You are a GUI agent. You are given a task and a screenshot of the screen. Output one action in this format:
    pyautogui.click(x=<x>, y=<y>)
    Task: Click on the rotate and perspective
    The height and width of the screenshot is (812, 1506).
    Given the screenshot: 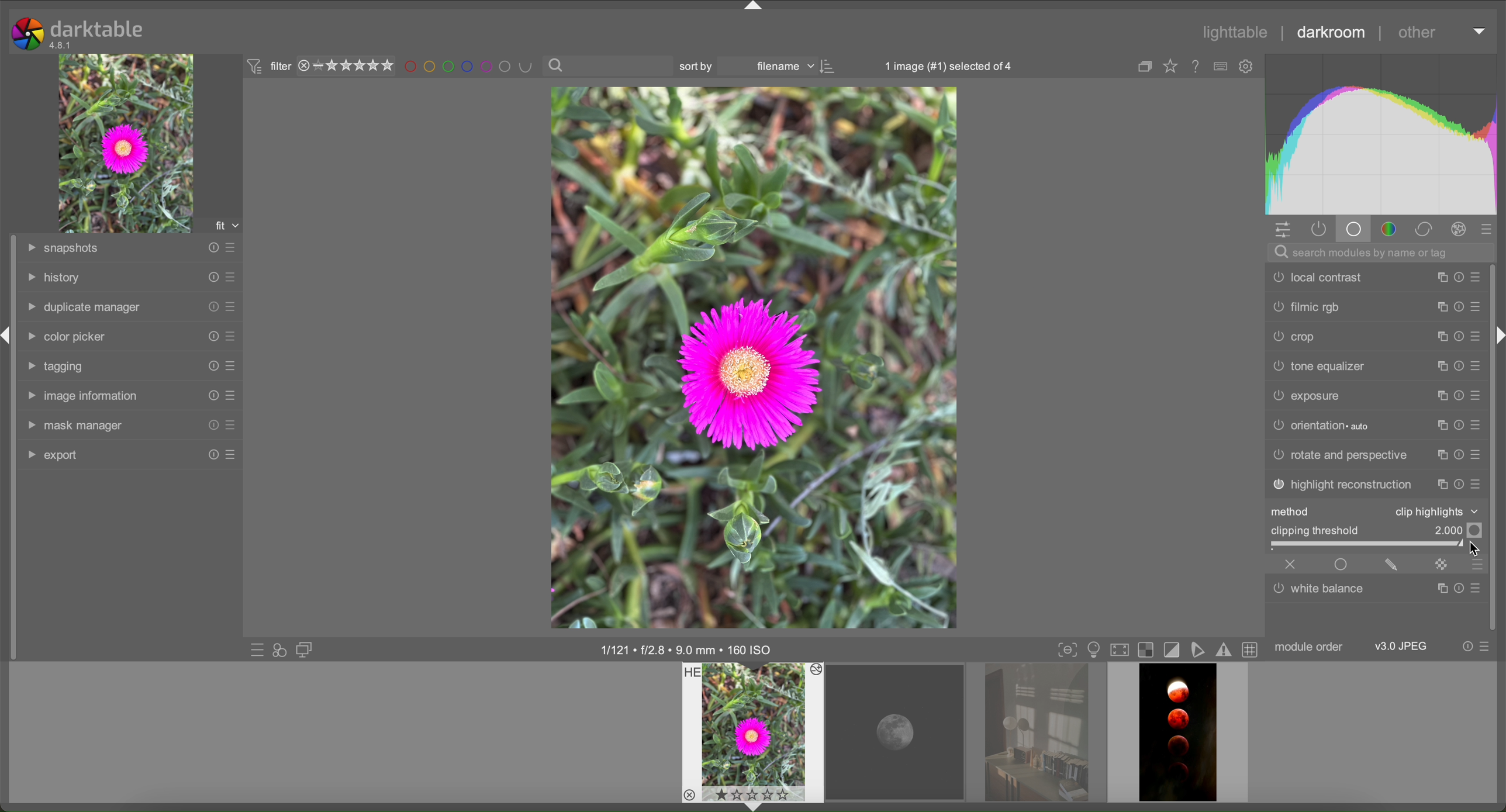 What is the action you would take?
    pyautogui.click(x=1340, y=454)
    